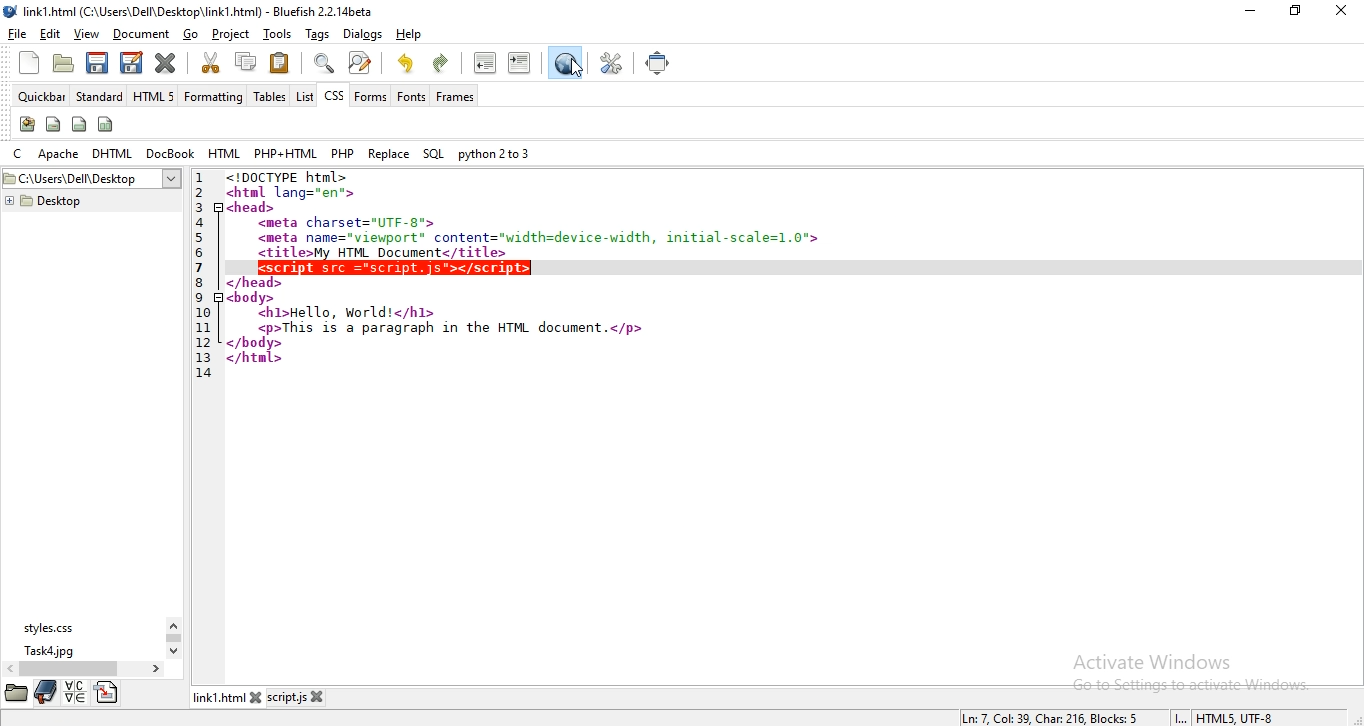  I want to click on redo, so click(441, 64).